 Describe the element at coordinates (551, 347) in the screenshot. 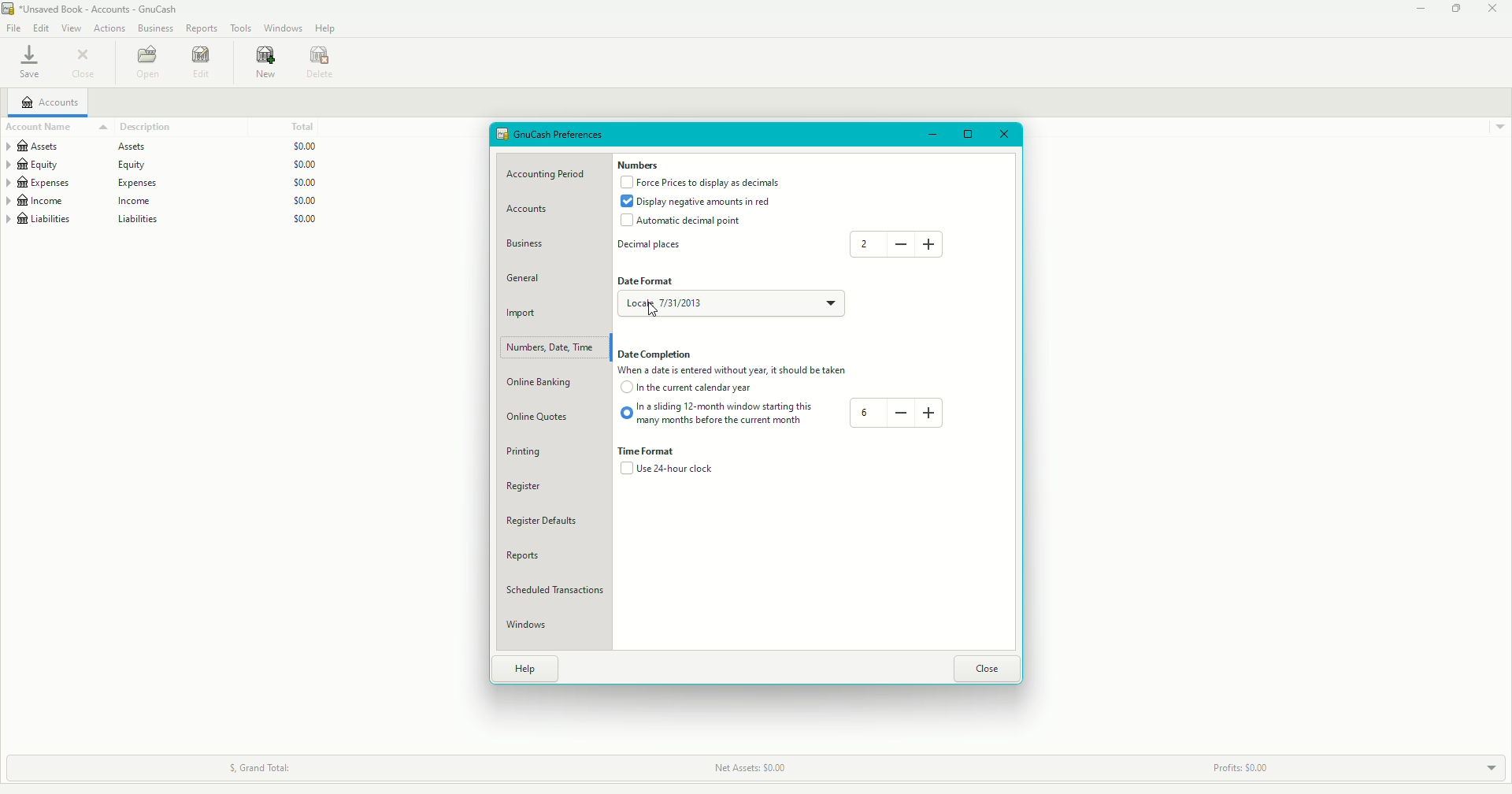

I see `numbers, date, time` at that location.